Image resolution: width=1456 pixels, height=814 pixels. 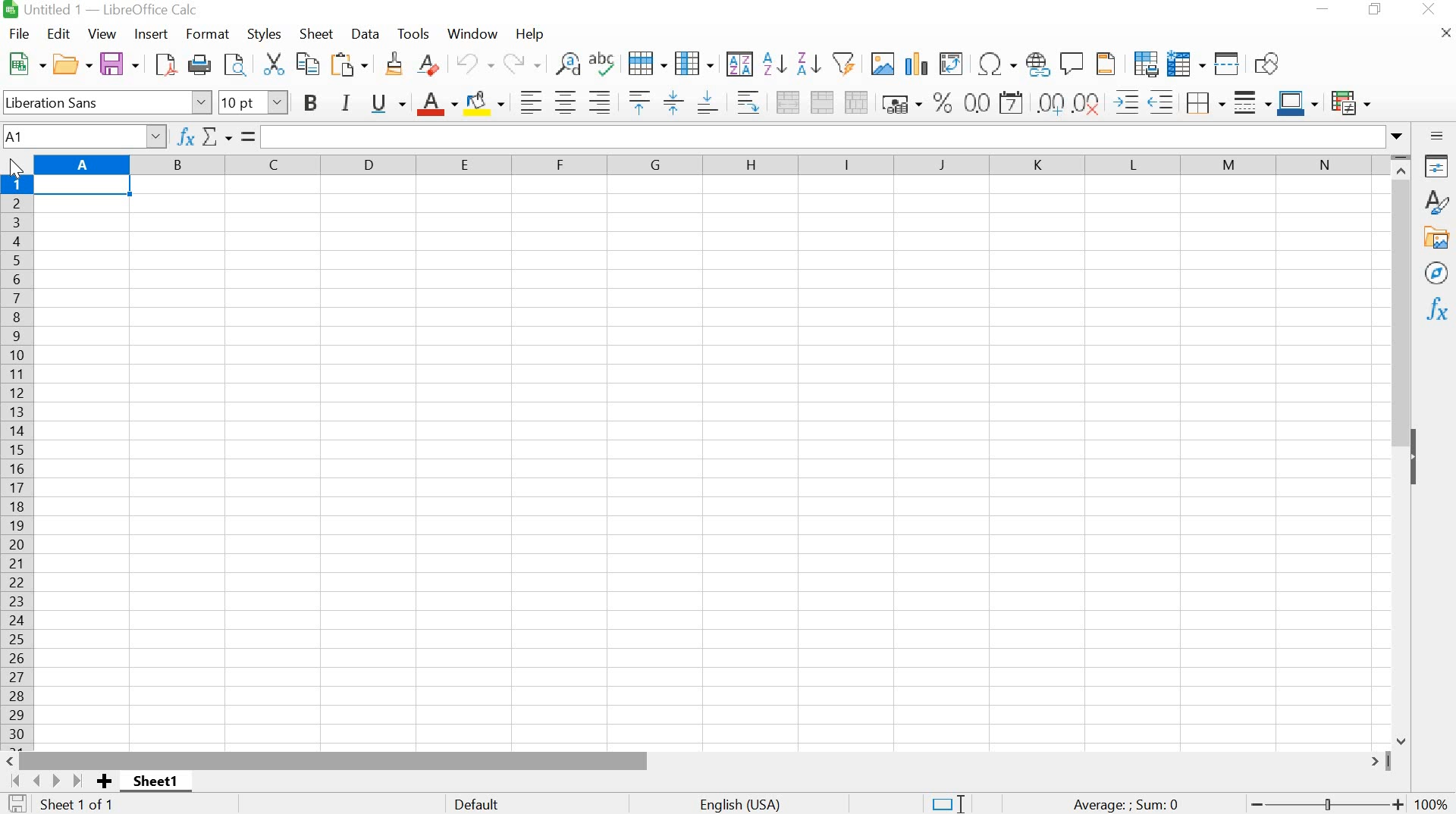 I want to click on Background Color, so click(x=485, y=103).